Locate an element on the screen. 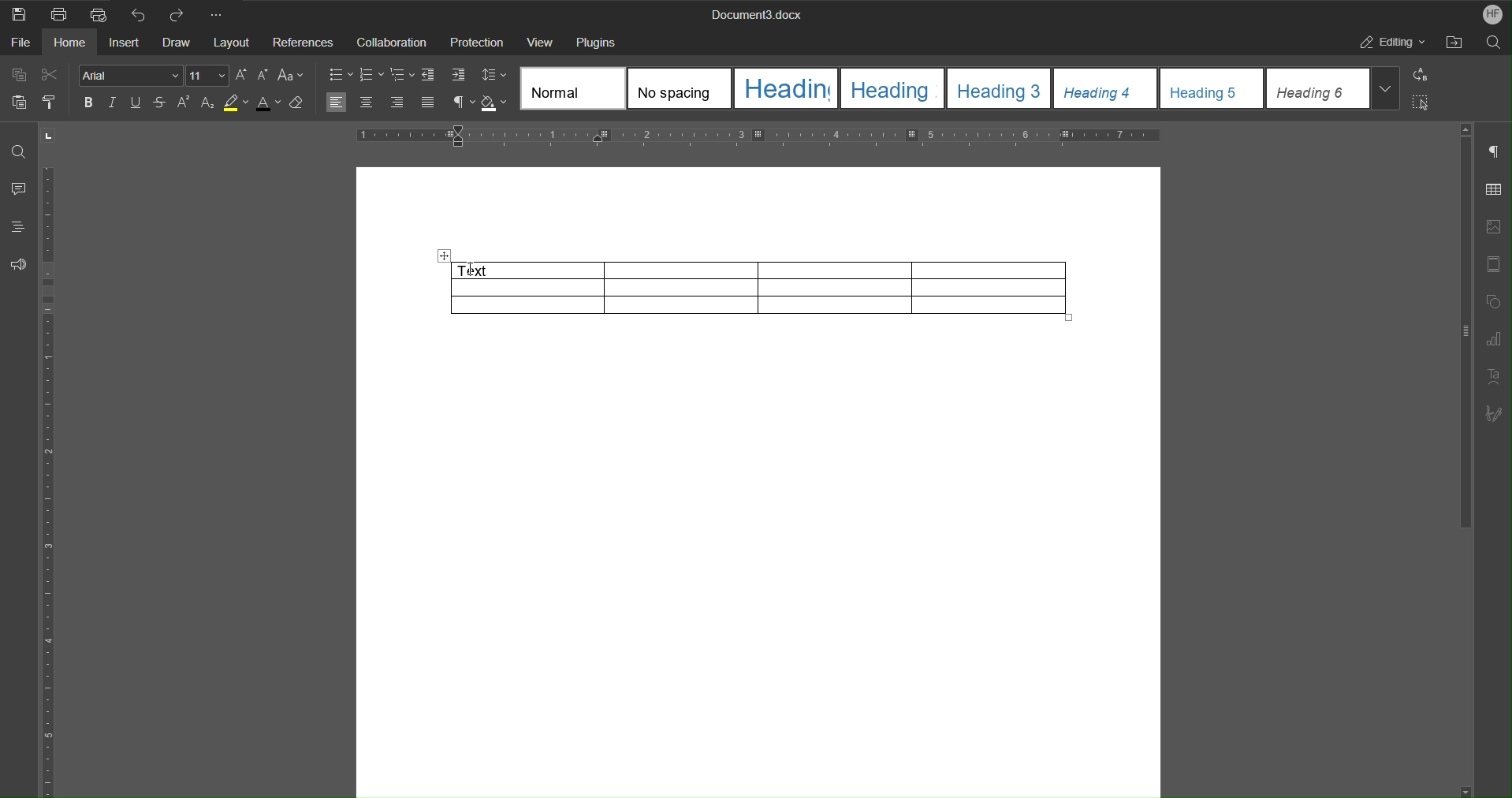  Copy Style is located at coordinates (49, 99).